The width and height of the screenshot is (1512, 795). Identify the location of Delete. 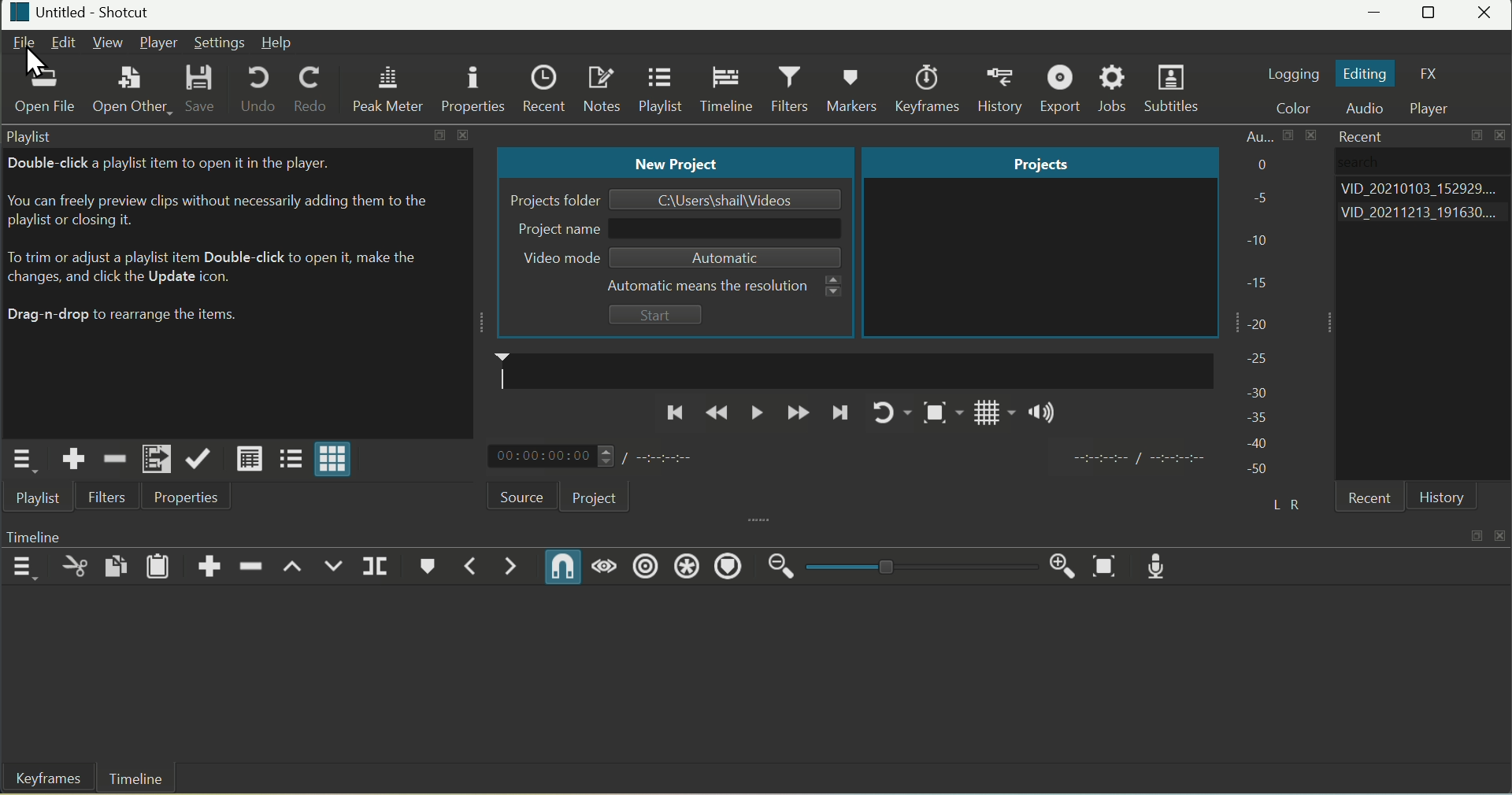
(253, 564).